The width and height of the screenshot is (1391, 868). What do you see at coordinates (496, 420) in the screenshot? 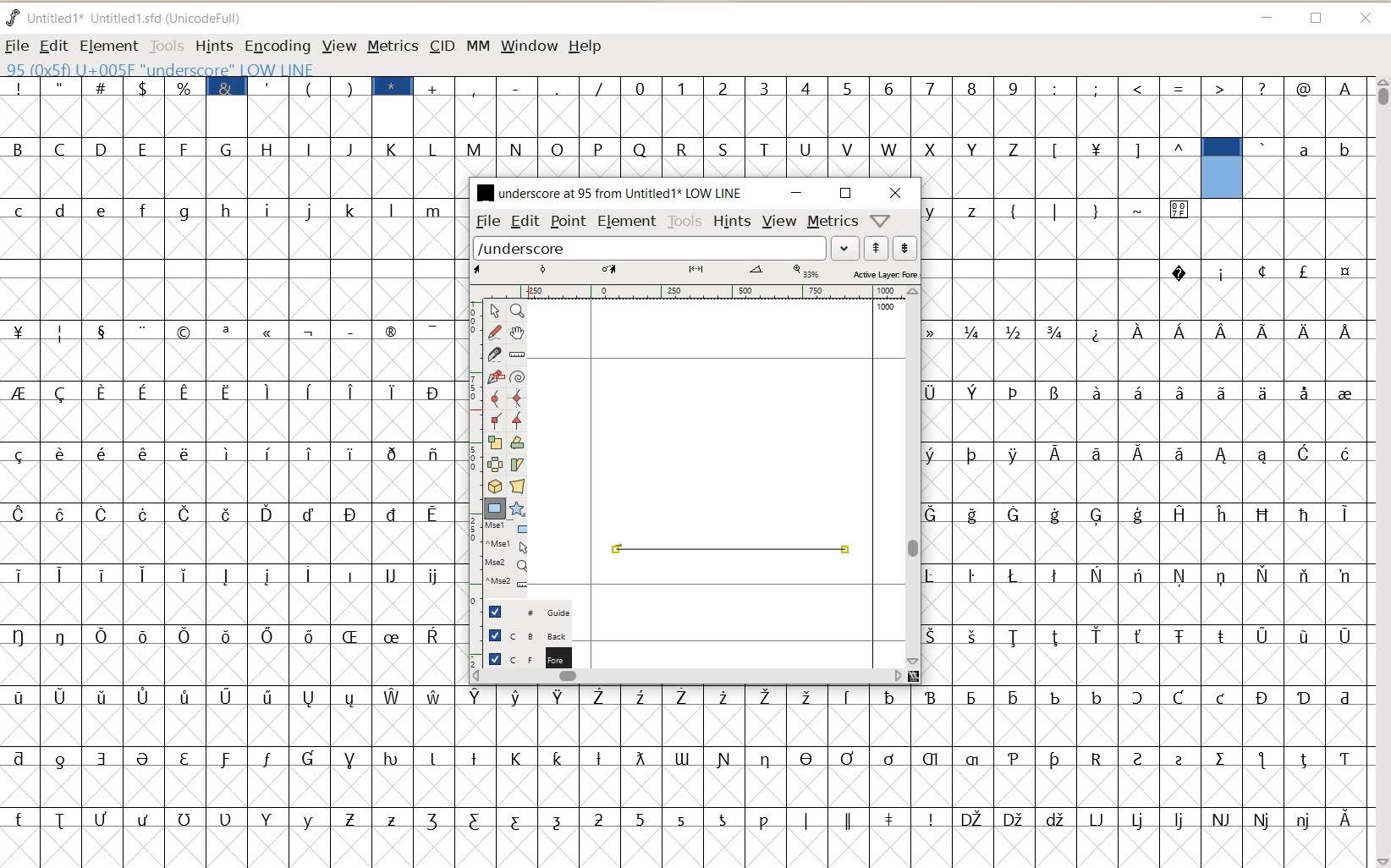
I see `Add a corner point` at bounding box center [496, 420].